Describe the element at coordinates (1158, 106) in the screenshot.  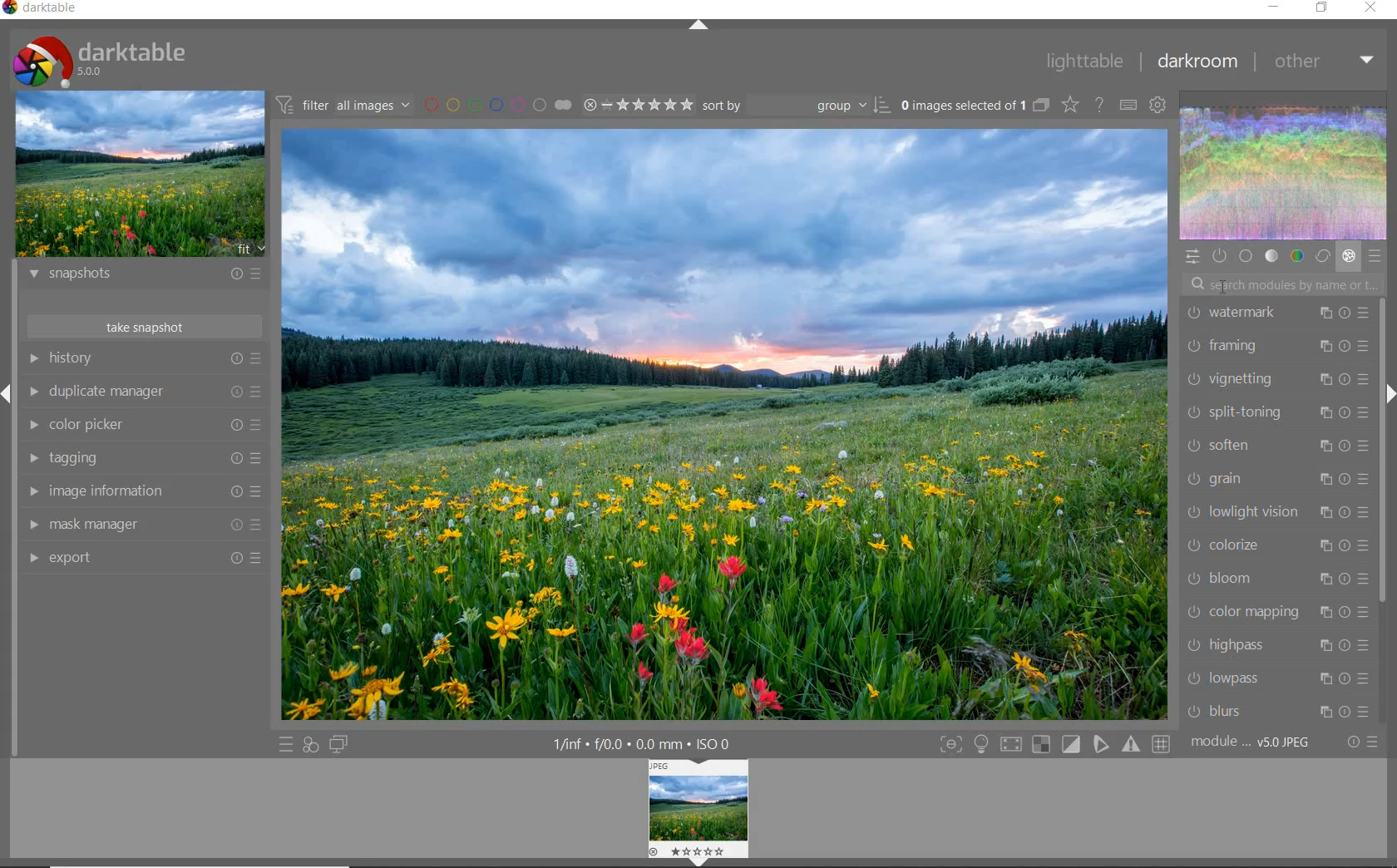
I see `show global preferences` at that location.